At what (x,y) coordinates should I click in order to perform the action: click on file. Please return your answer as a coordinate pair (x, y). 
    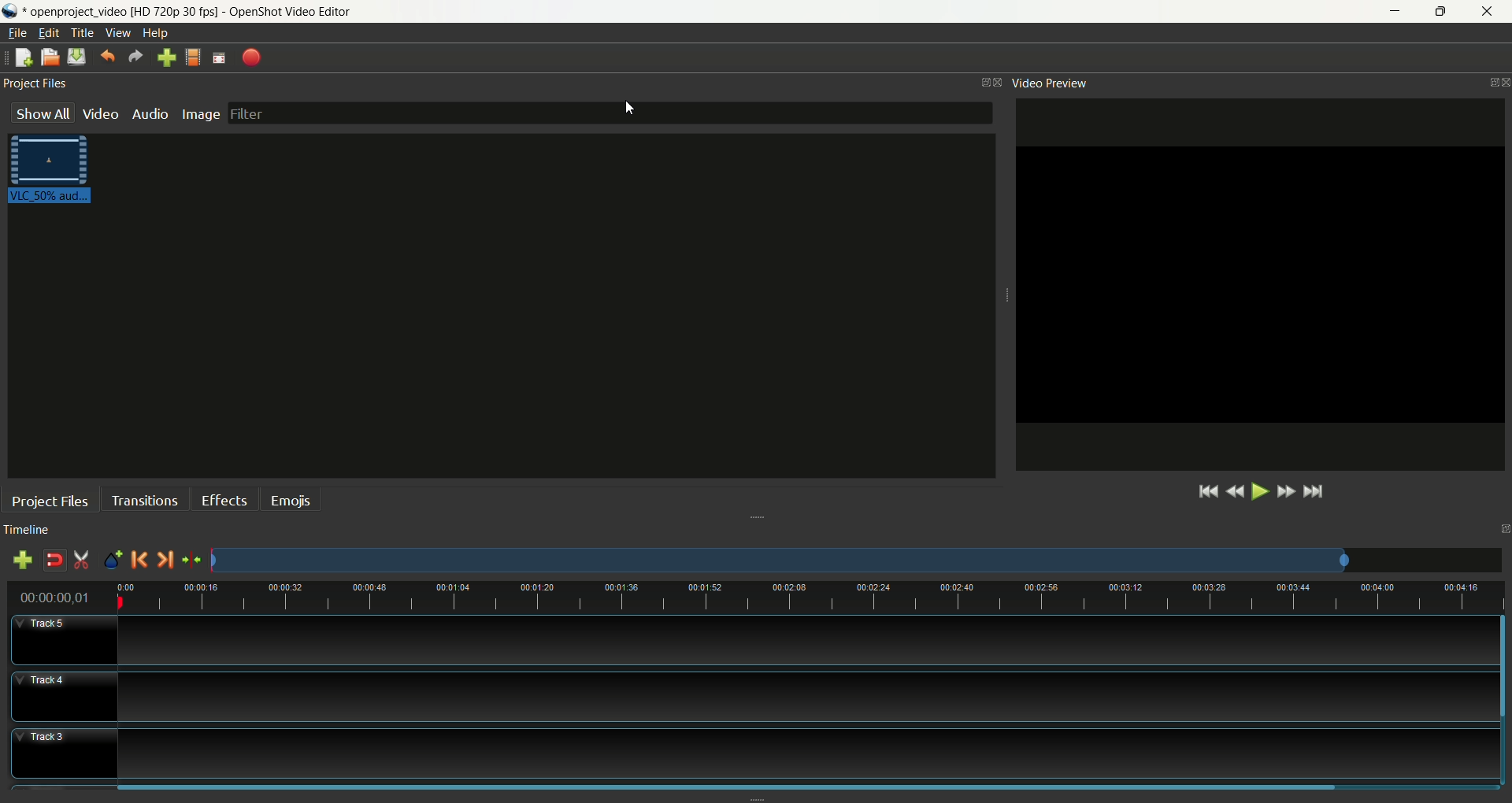
    Looking at the image, I should click on (17, 31).